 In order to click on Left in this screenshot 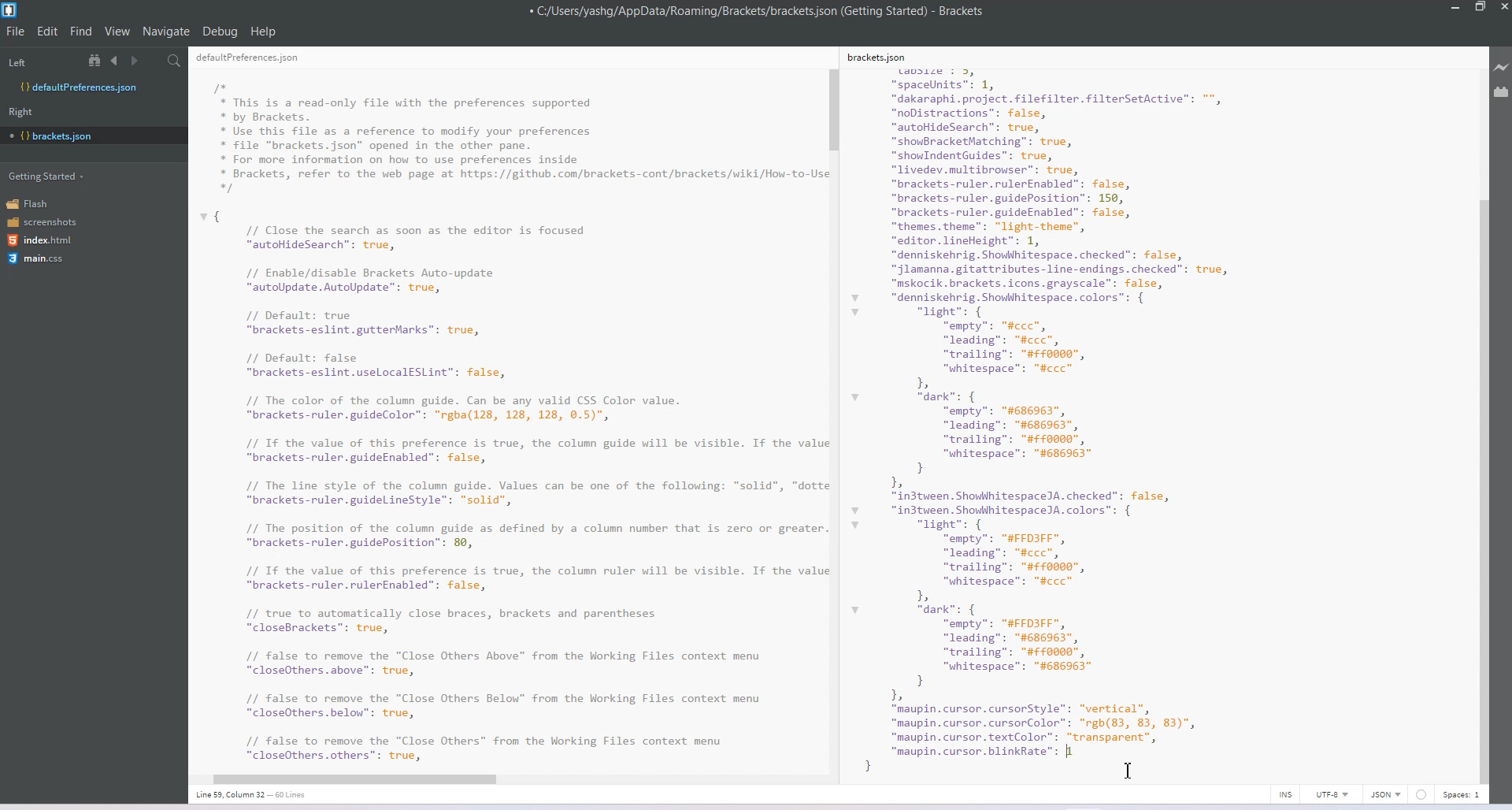, I will do `click(17, 63)`.